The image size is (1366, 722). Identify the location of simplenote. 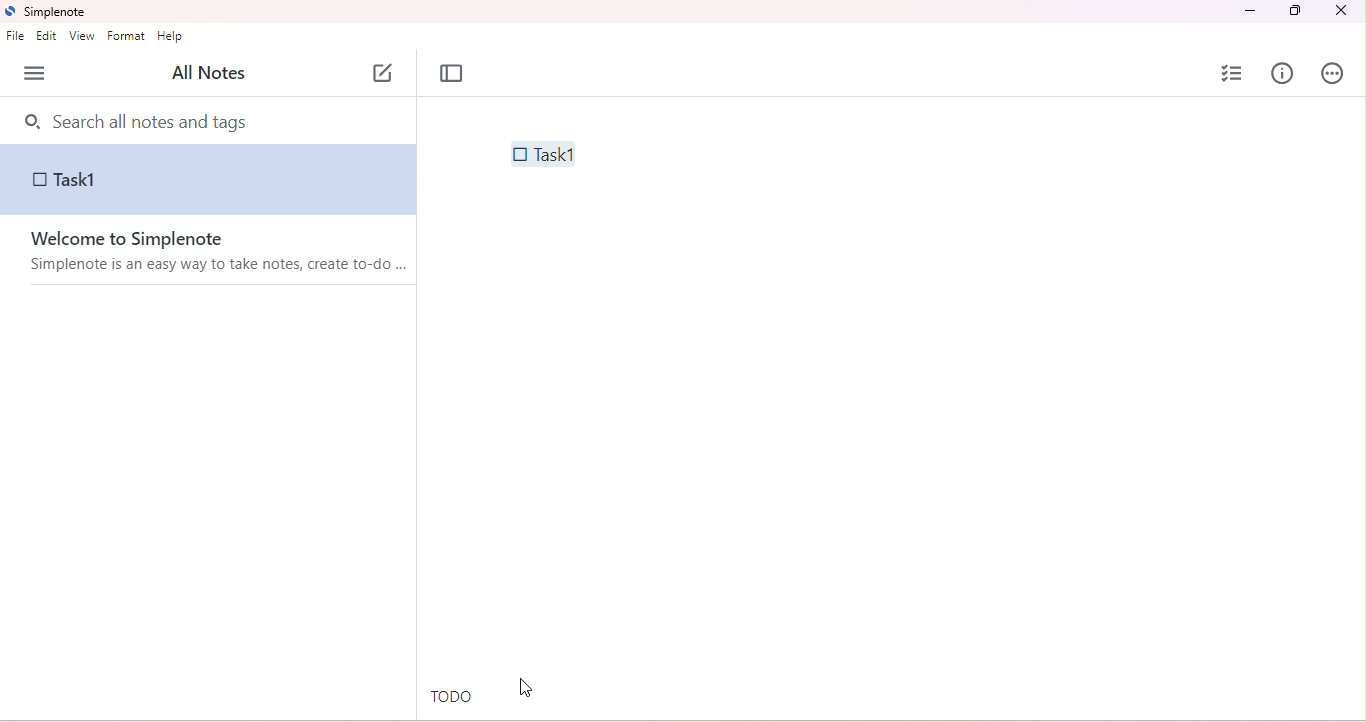
(54, 13).